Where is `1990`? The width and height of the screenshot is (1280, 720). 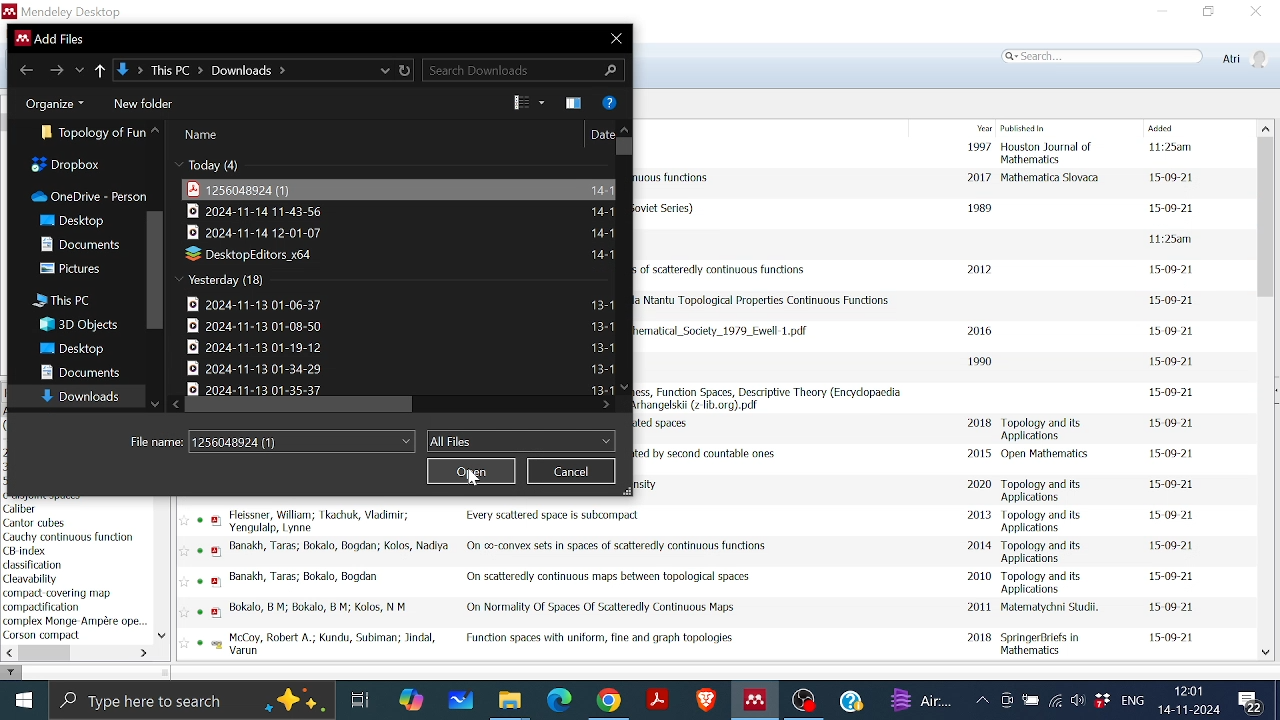 1990 is located at coordinates (980, 362).